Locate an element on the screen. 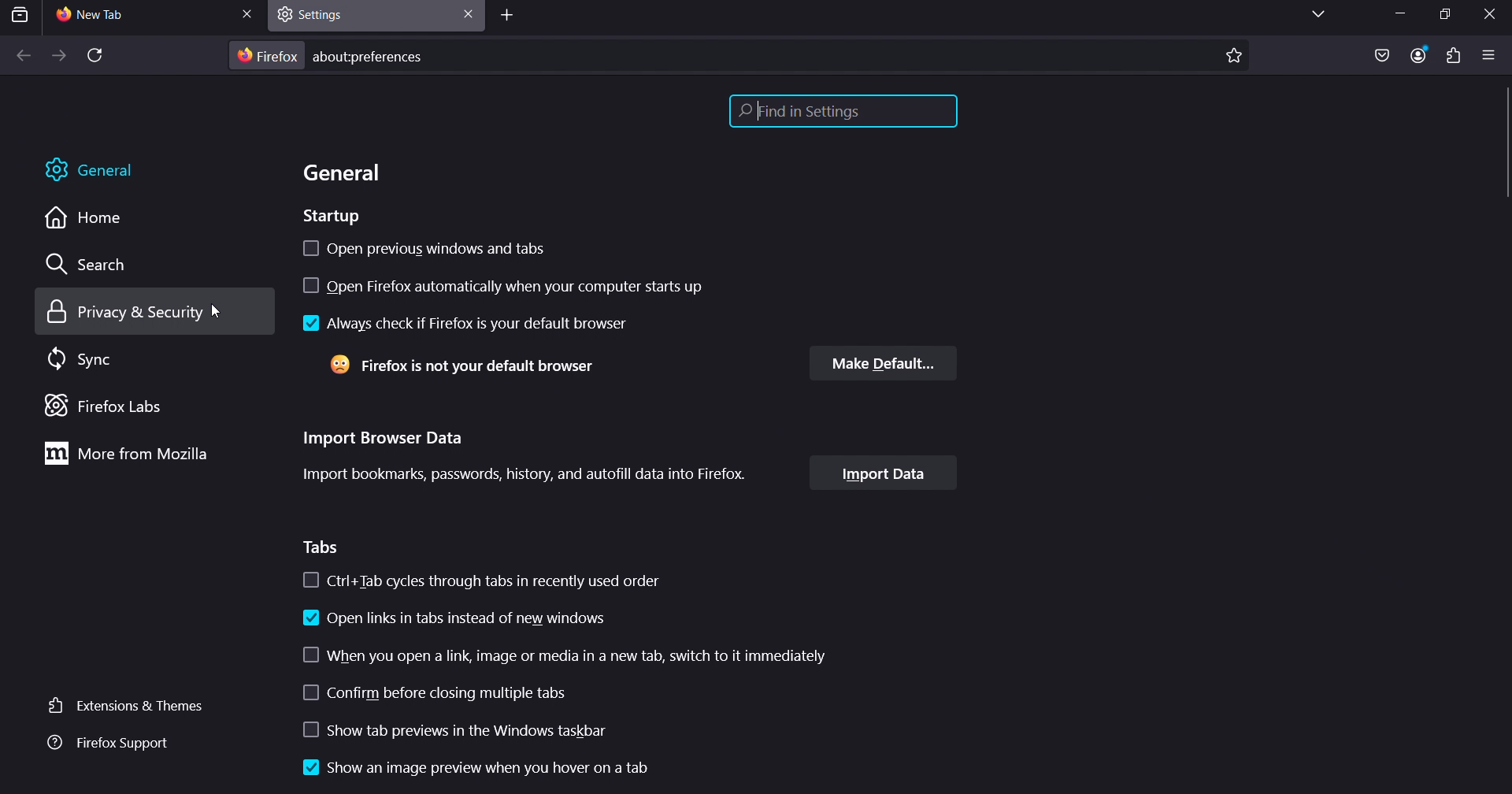 The width and height of the screenshot is (1512, 794). close is located at coordinates (1492, 13).